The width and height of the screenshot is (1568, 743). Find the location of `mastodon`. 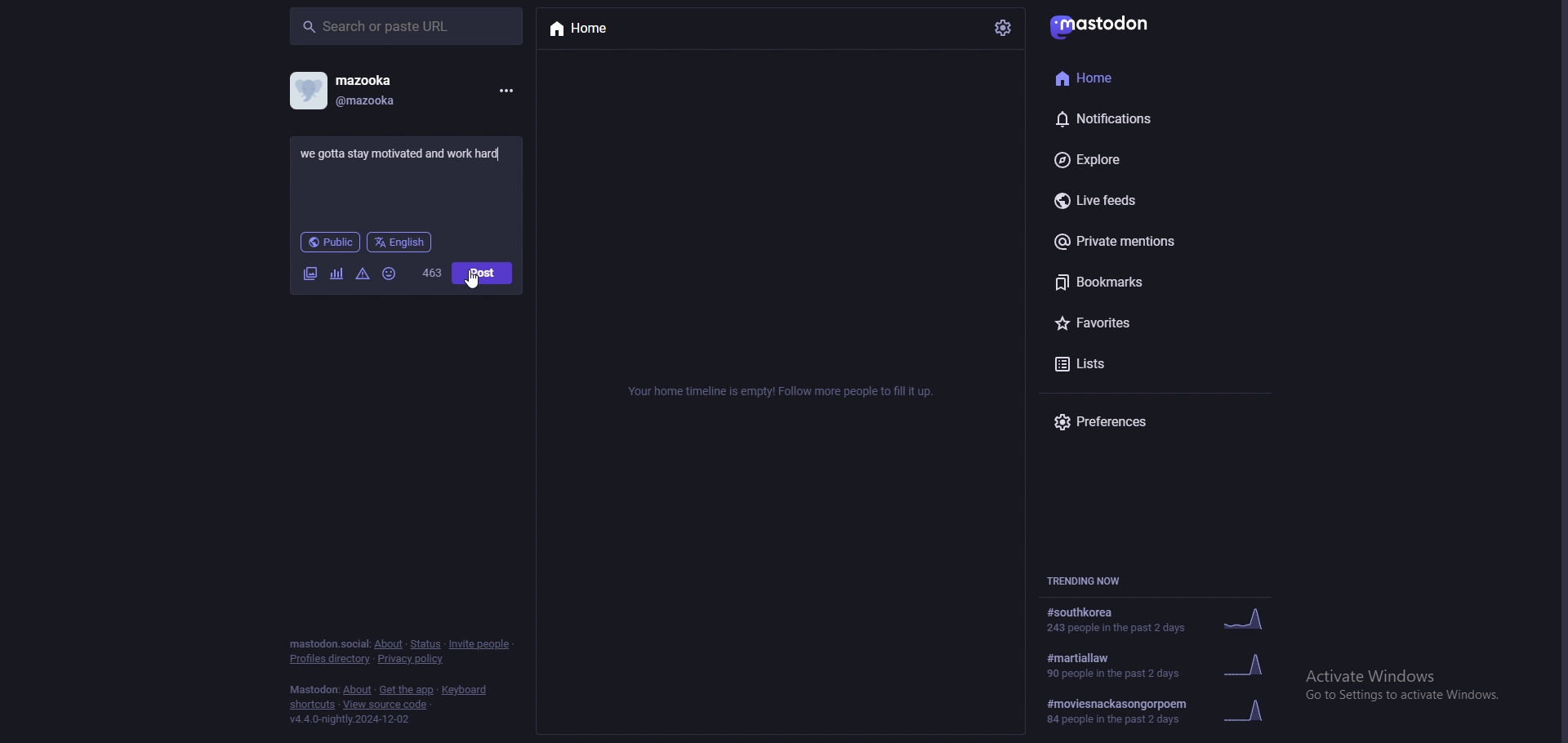

mastodon is located at coordinates (314, 689).